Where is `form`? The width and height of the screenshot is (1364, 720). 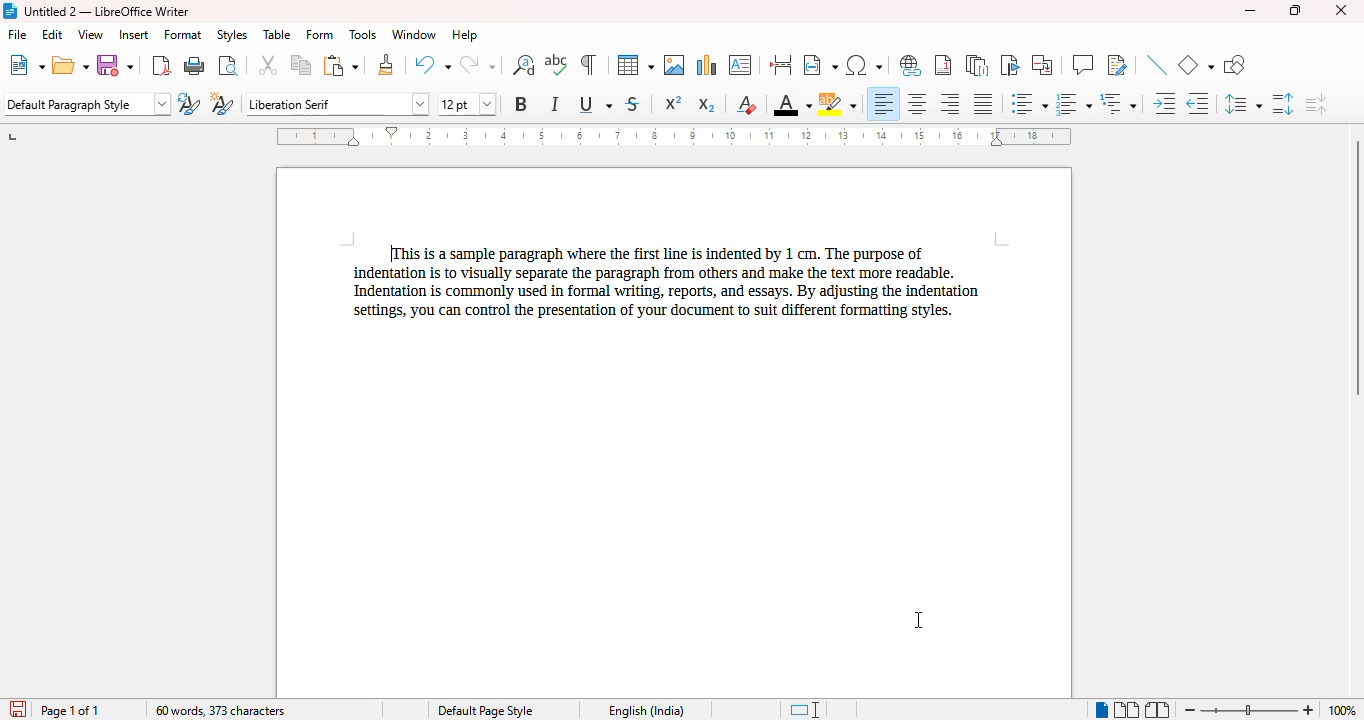 form is located at coordinates (320, 35).